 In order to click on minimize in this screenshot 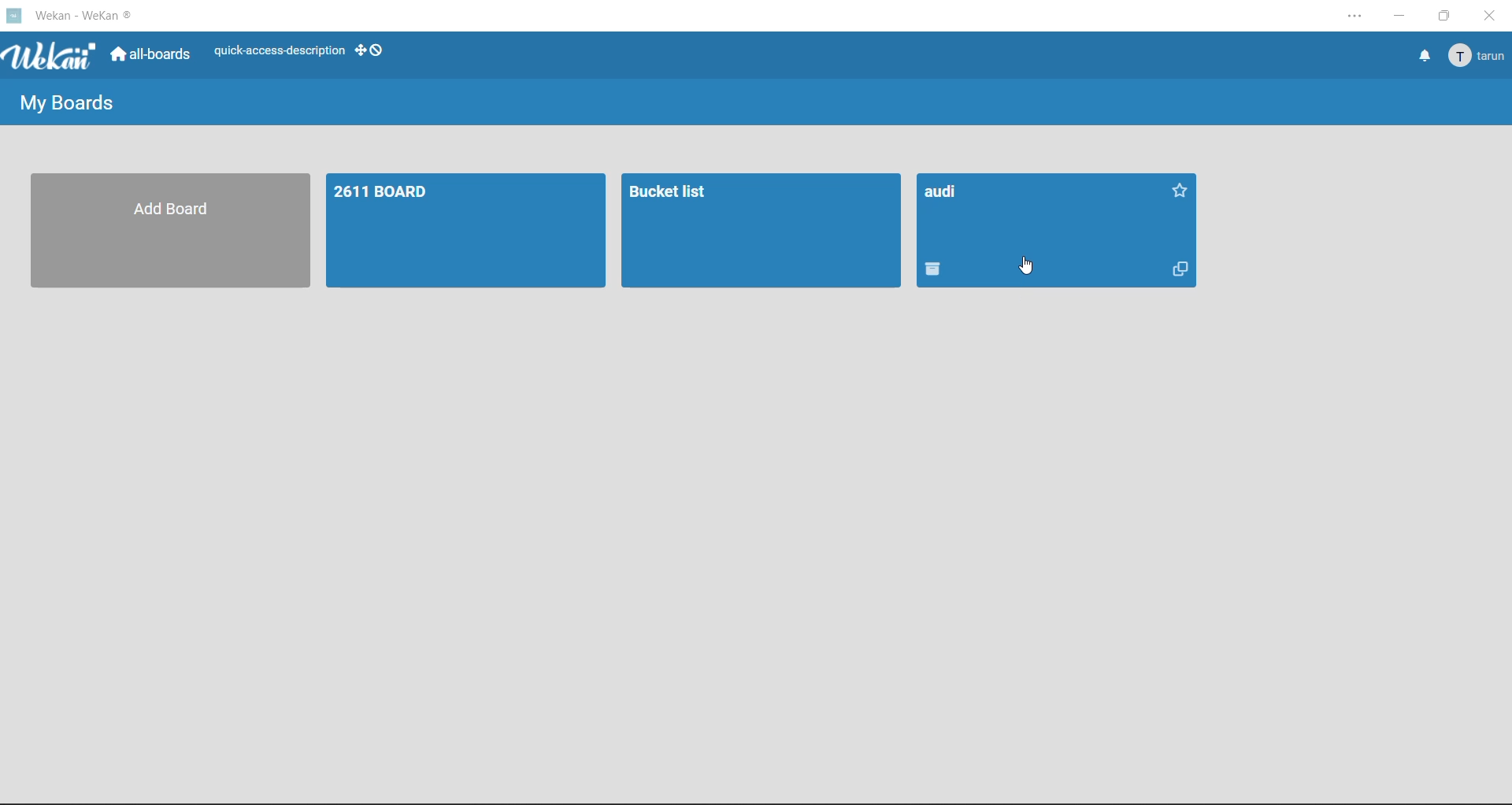, I will do `click(1402, 18)`.